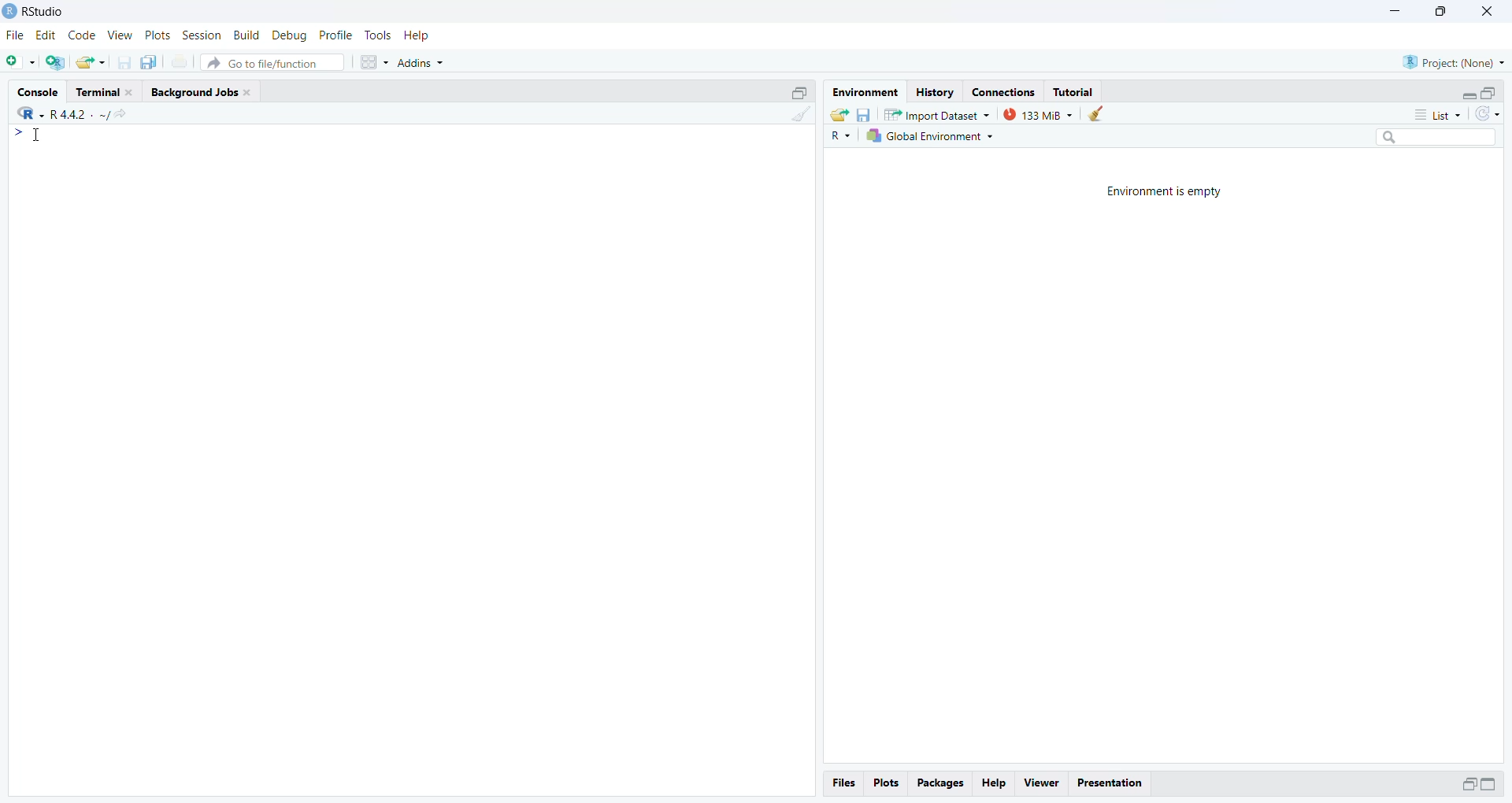  I want to click on Clear work from the workspace, so click(1097, 113).